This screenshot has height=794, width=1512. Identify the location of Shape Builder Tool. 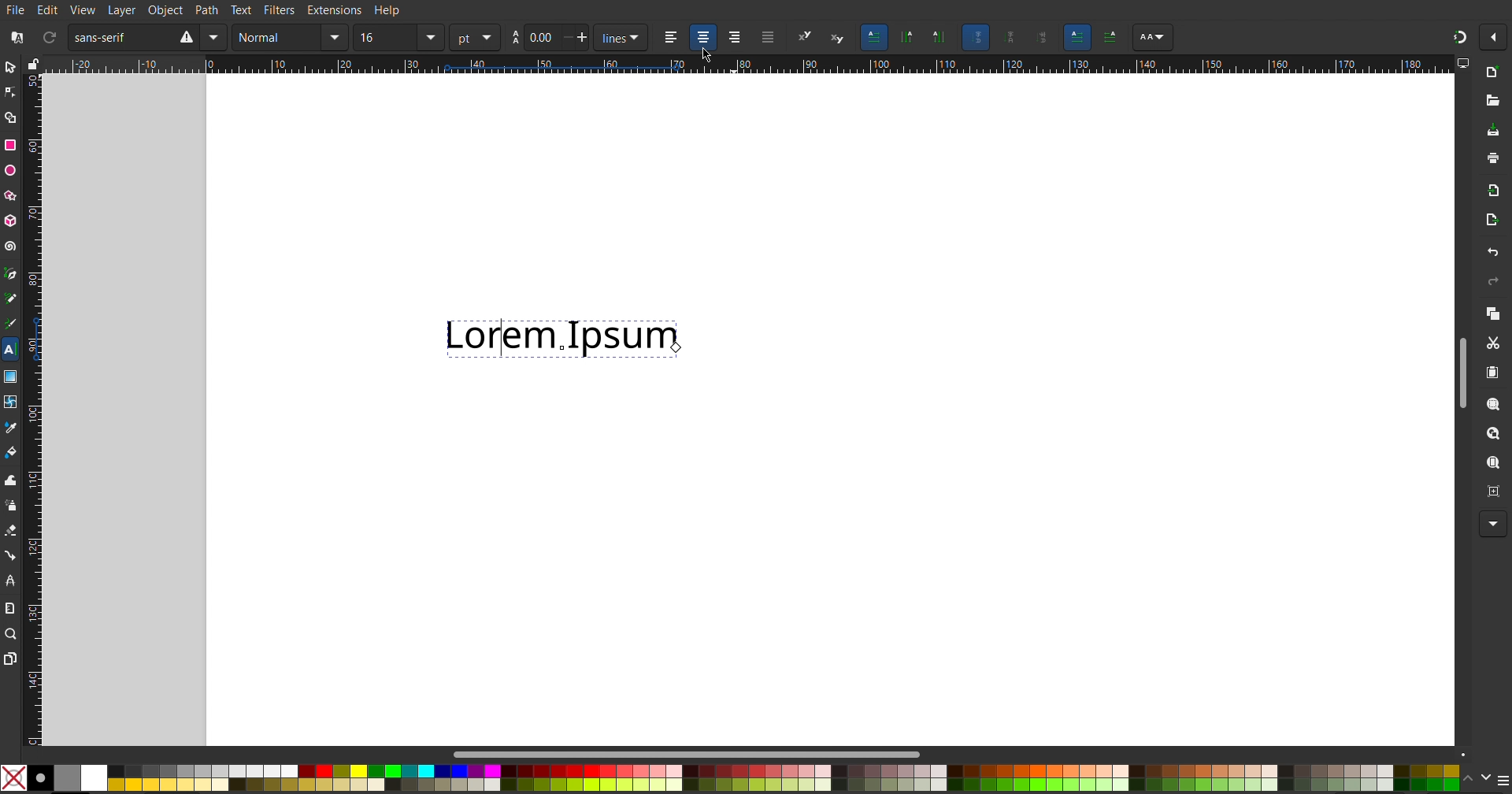
(10, 119).